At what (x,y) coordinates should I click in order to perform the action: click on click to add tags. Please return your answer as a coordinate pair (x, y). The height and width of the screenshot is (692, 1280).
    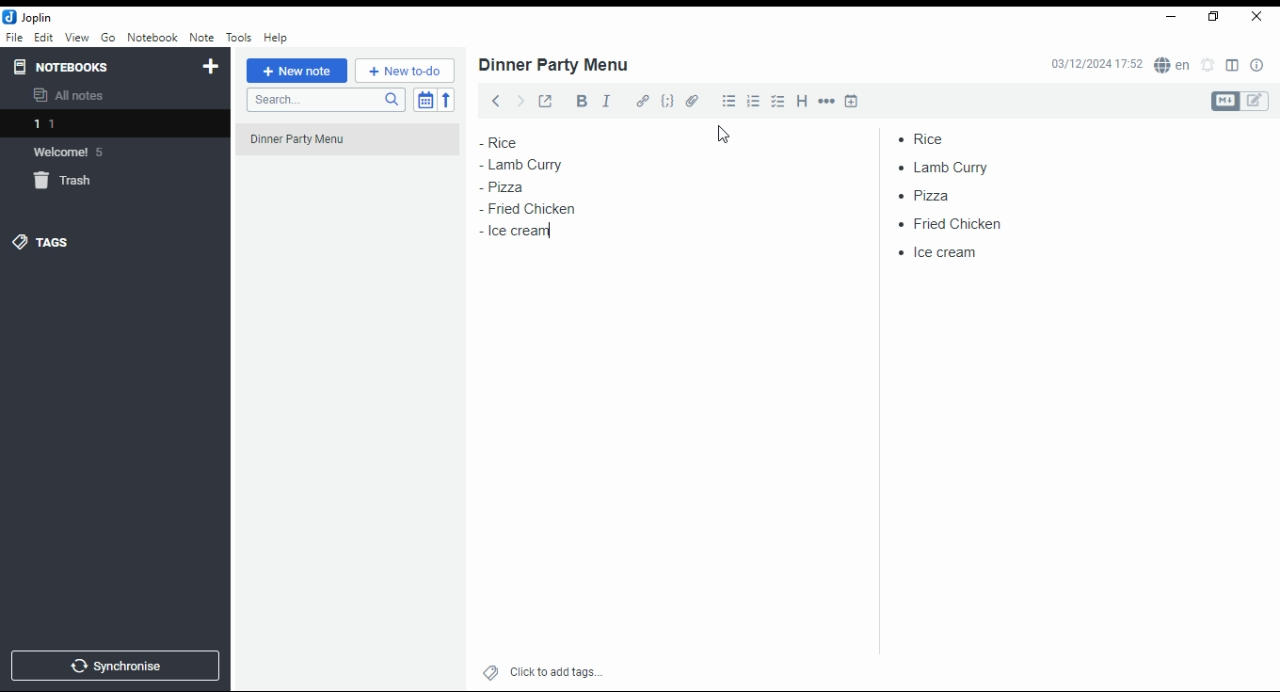
    Looking at the image, I should click on (554, 671).